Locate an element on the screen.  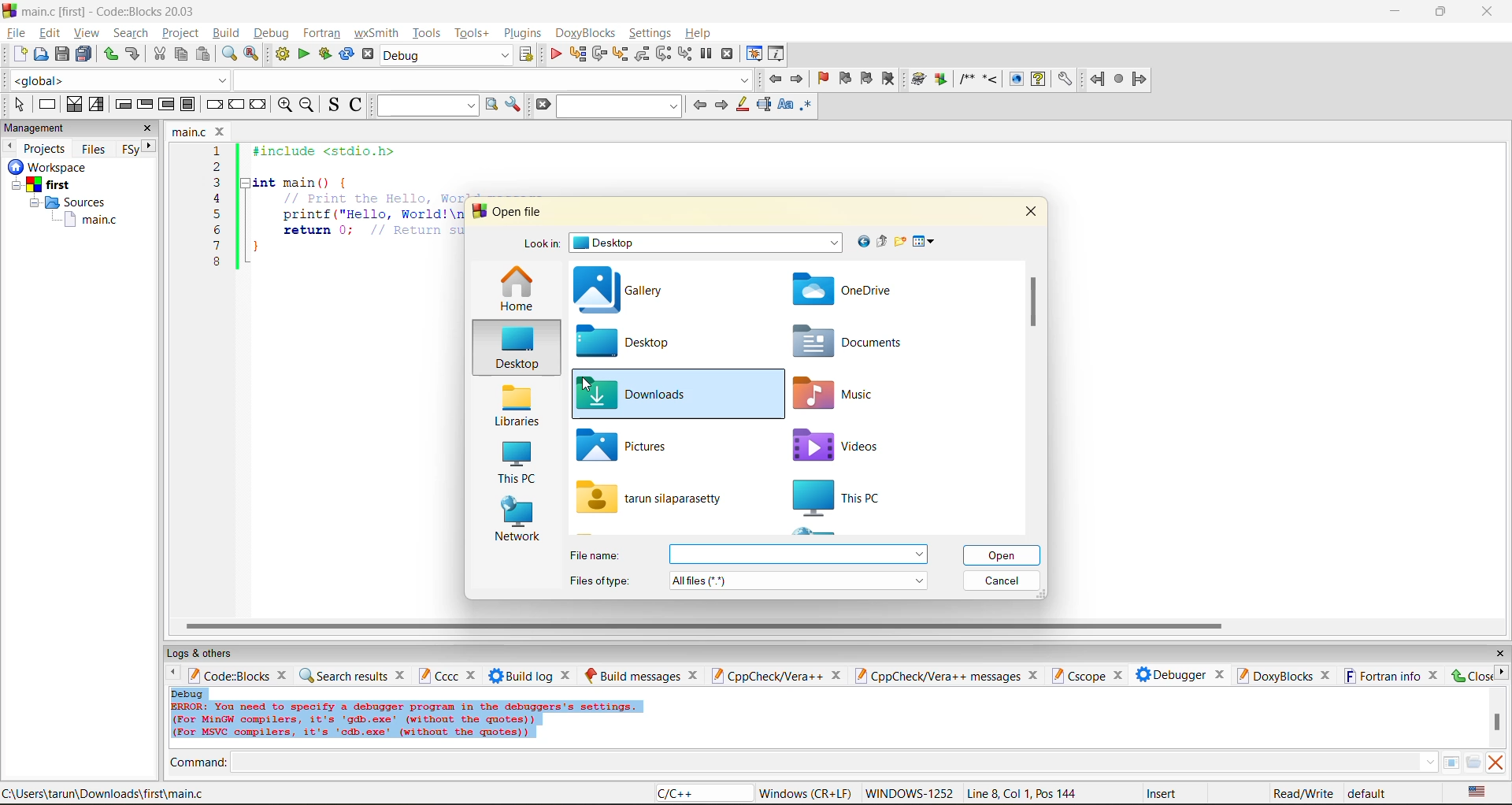
2 is located at coordinates (217, 167).